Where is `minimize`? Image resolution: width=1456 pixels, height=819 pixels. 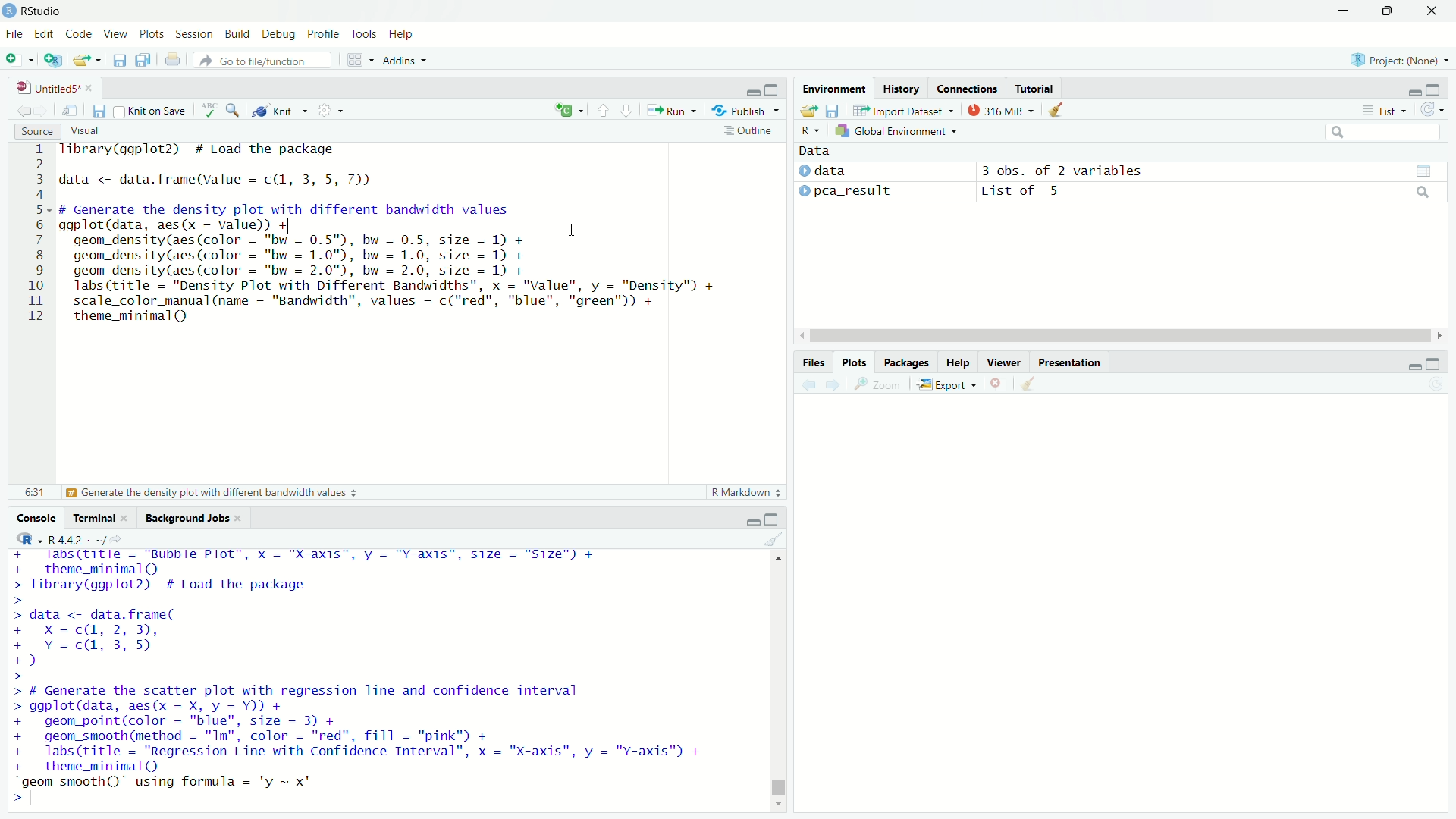
minimize is located at coordinates (1343, 11).